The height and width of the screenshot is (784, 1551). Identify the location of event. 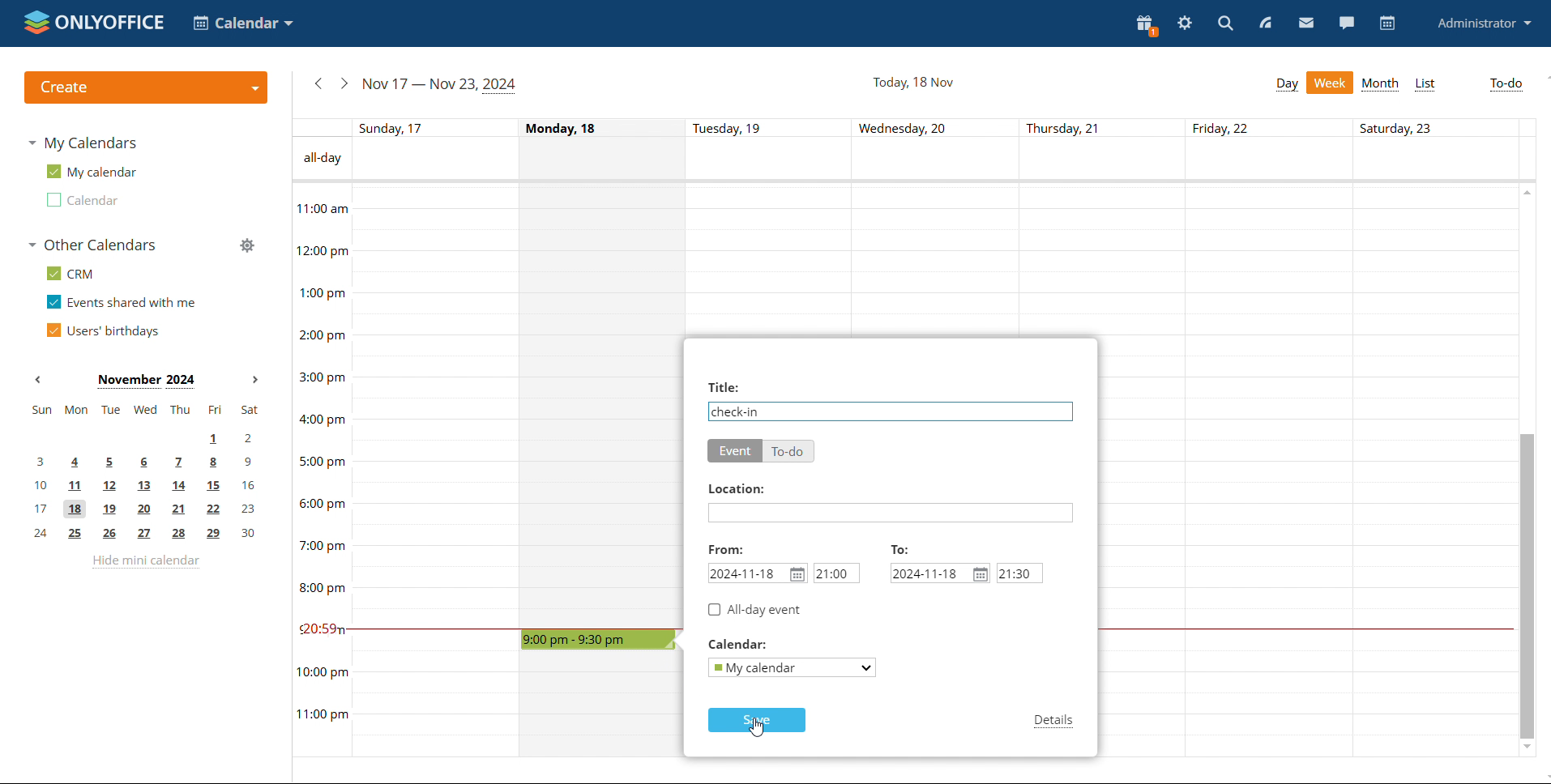
(735, 450).